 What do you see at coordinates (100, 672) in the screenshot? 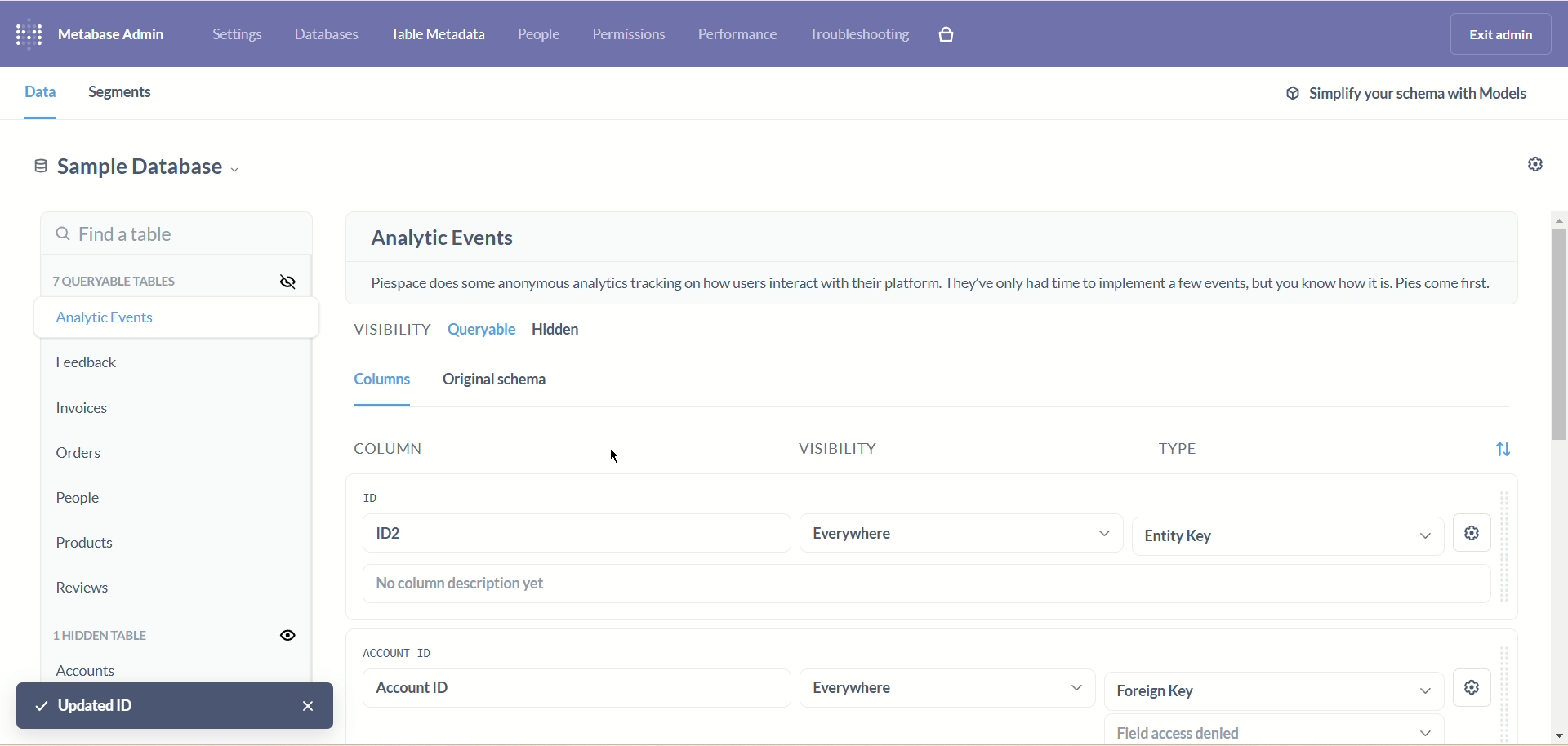
I see `accounts` at bounding box center [100, 672].